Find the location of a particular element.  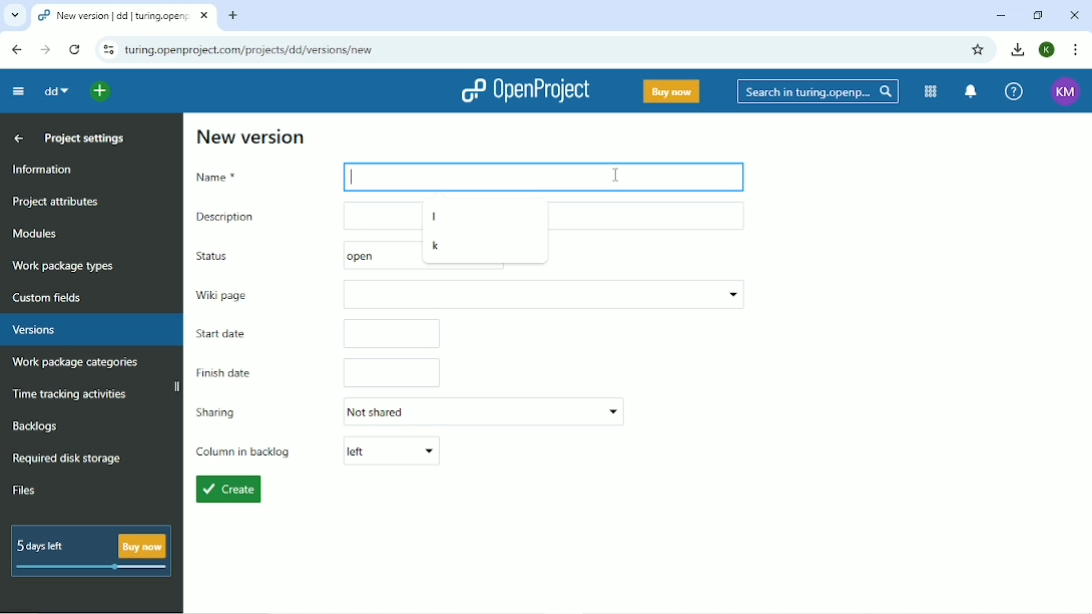

Information is located at coordinates (47, 169).